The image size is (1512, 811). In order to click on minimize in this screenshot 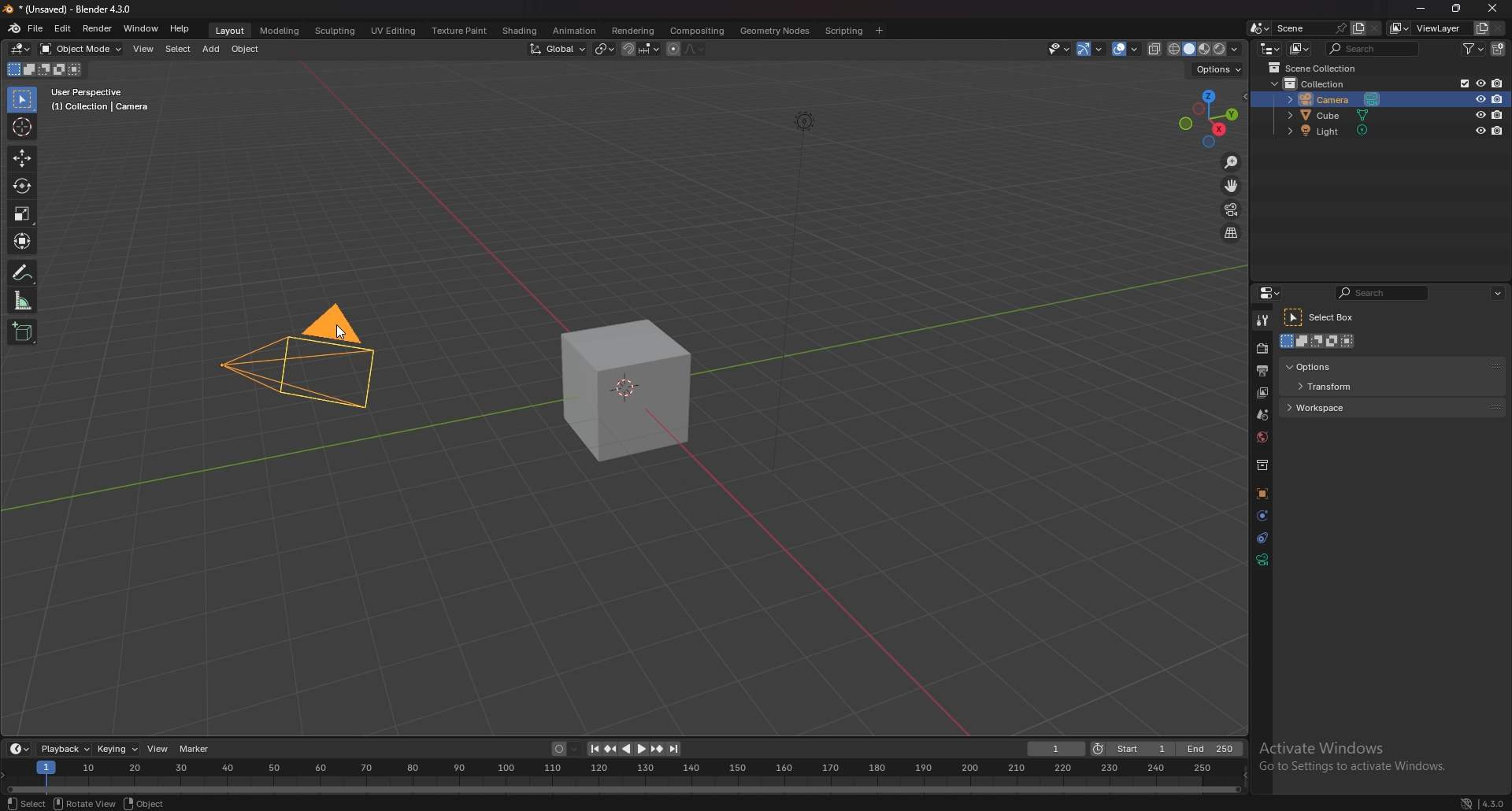, I will do `click(1423, 9)`.